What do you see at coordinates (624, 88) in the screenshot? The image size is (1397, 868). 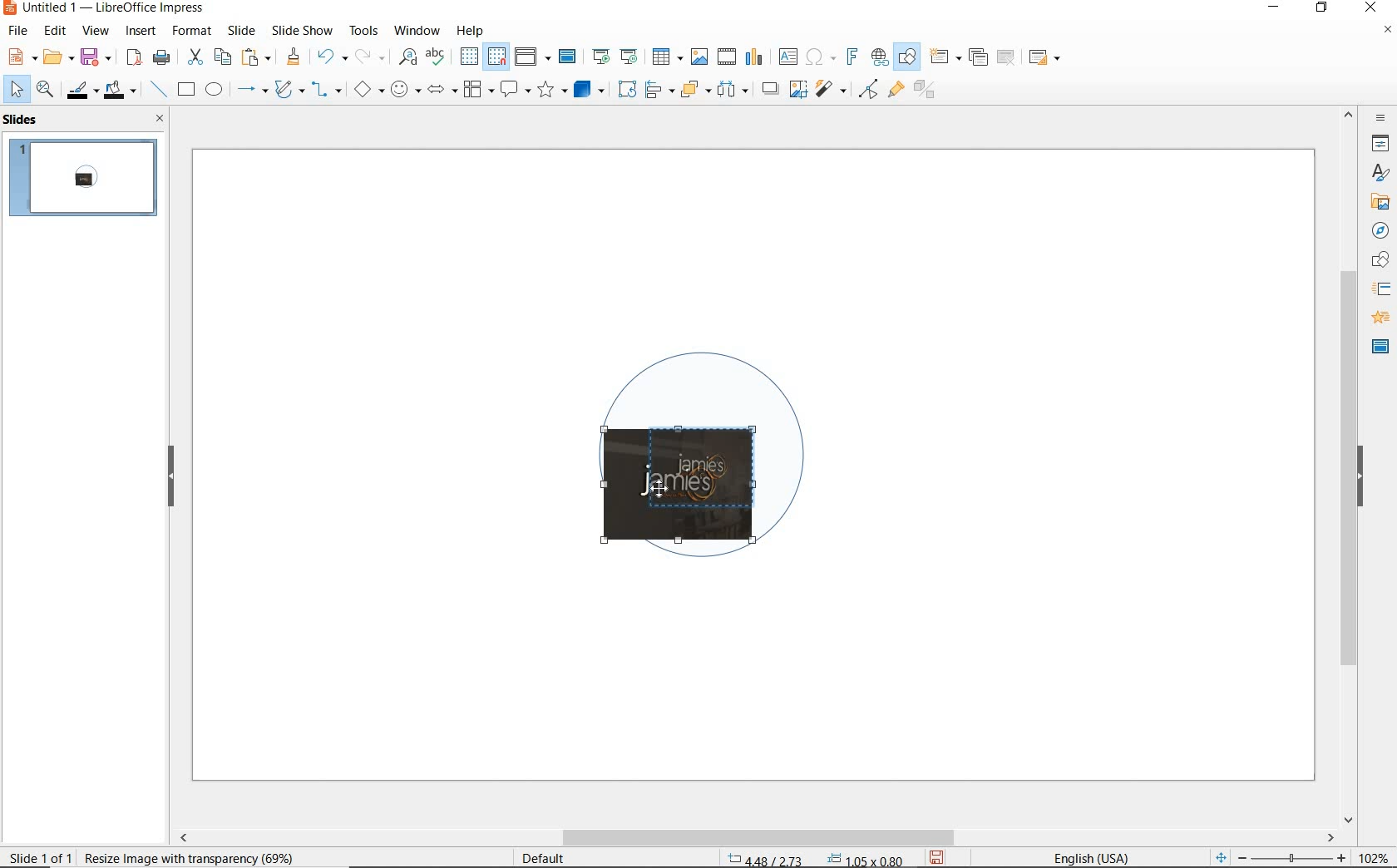 I see `rotate` at bounding box center [624, 88].